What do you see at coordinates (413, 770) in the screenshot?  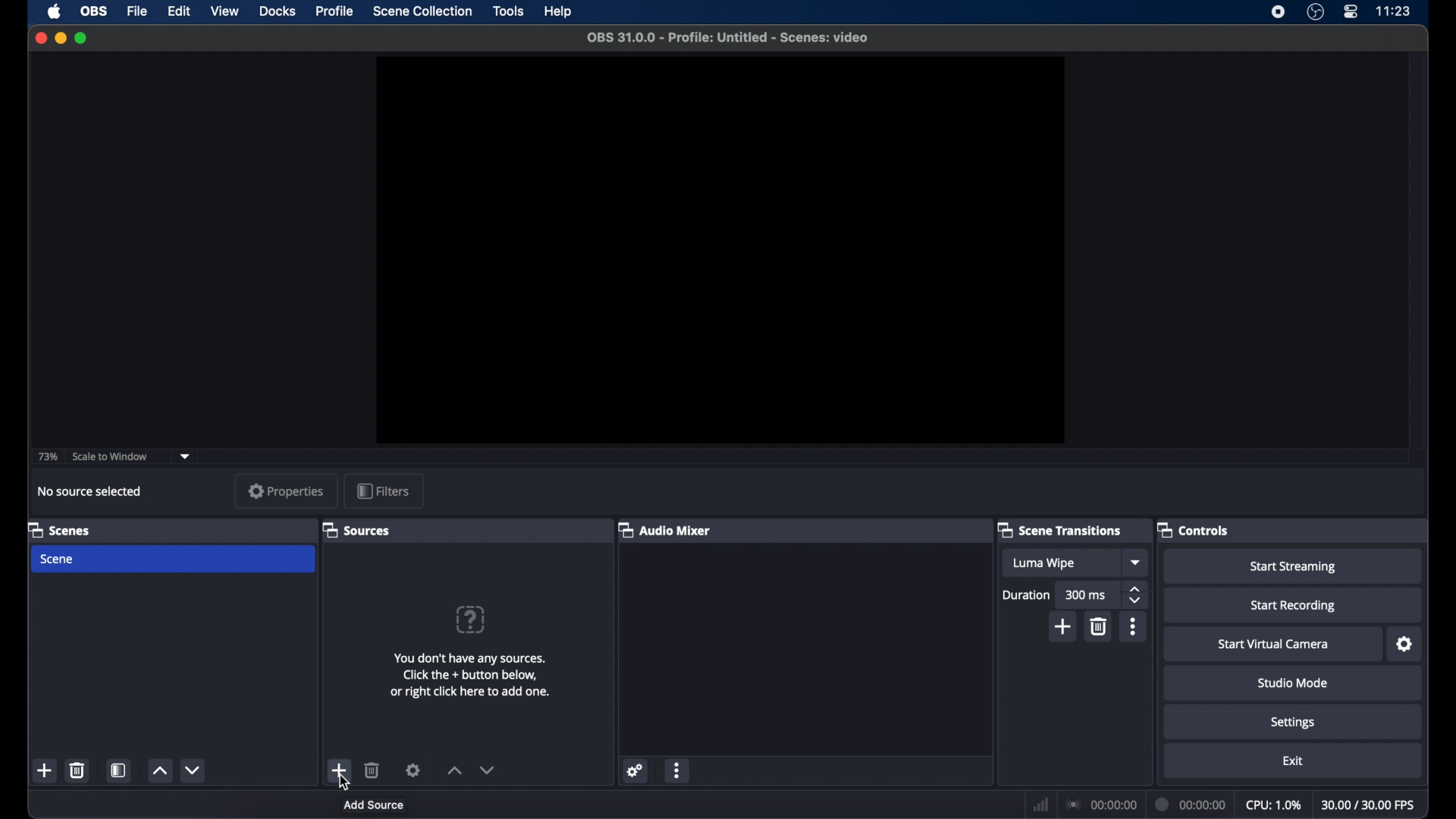 I see `settings` at bounding box center [413, 770].